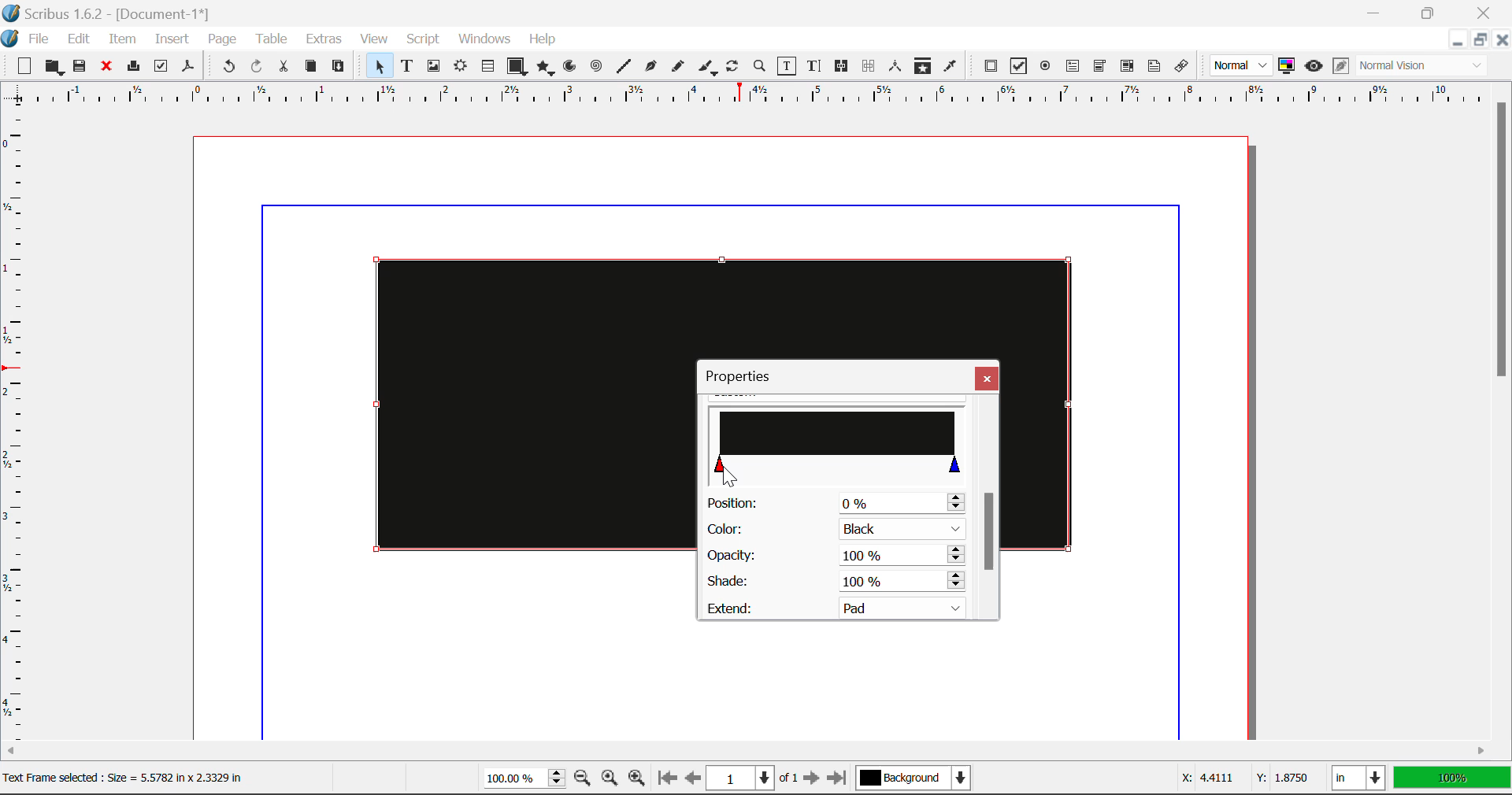 The image size is (1512, 795). Describe the element at coordinates (157, 779) in the screenshot. I see `Text frame selected : Size = 5.5782 in x 2.3329 in` at that location.